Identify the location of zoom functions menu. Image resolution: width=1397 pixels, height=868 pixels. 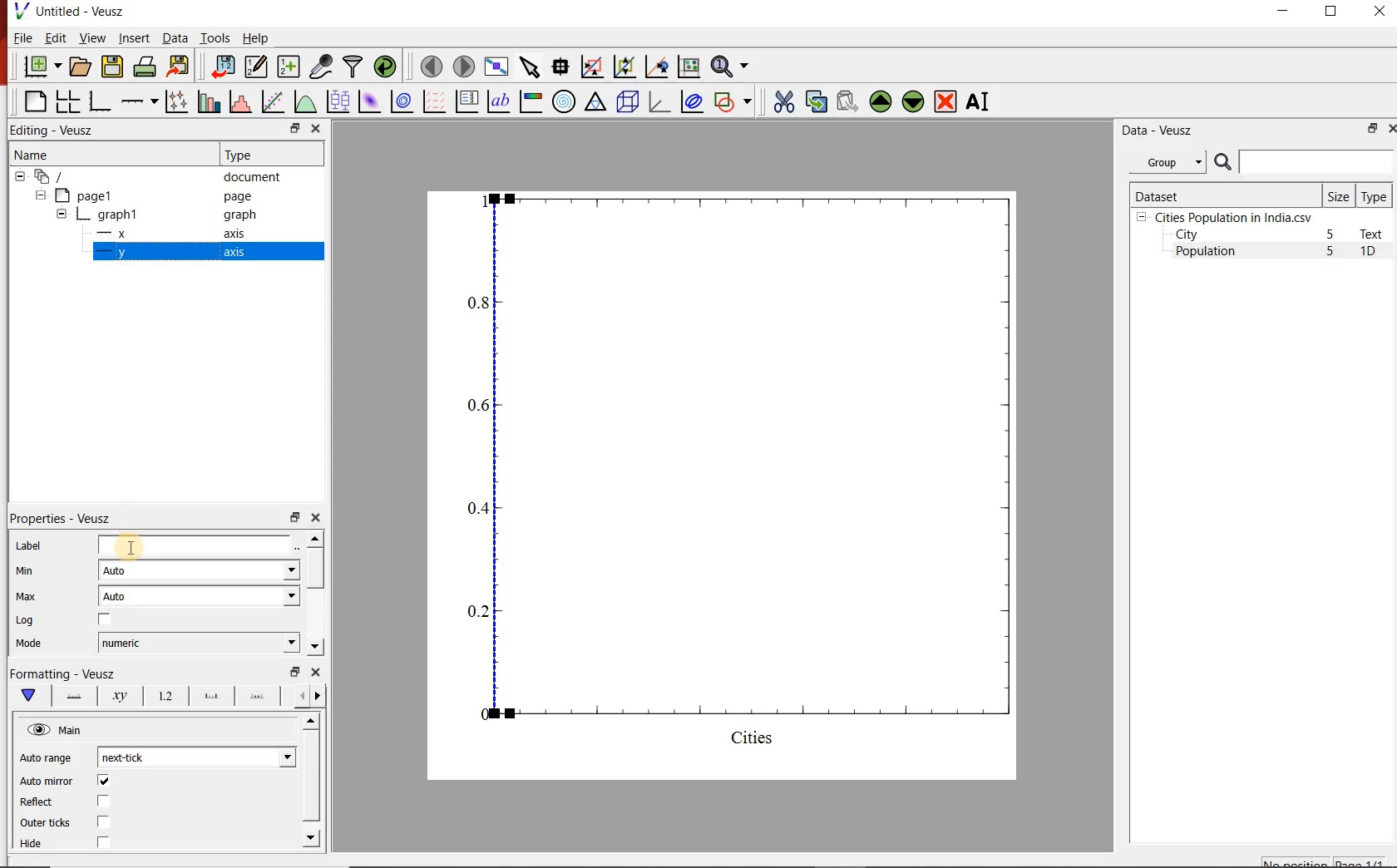
(733, 67).